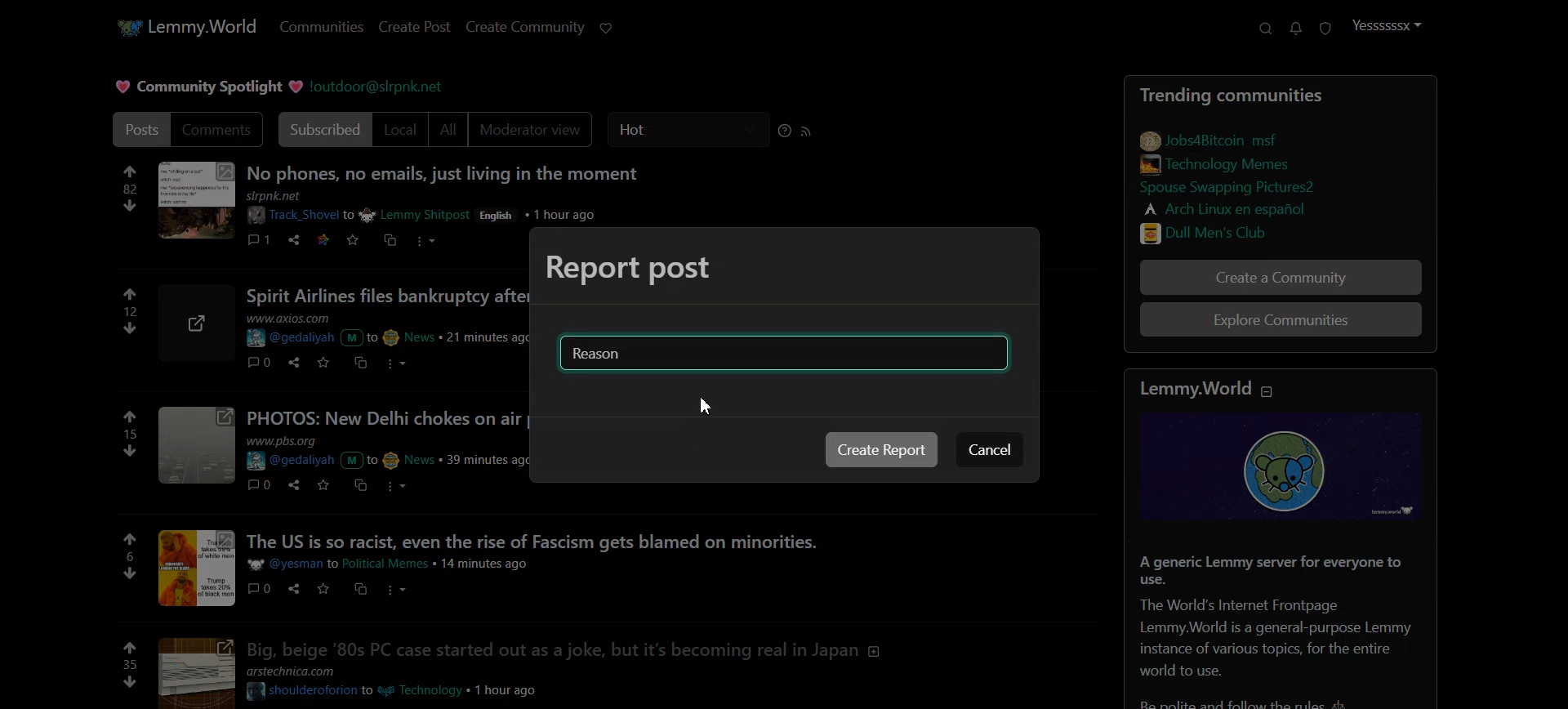 The image size is (1568, 709). I want to click on post details, so click(448, 208).